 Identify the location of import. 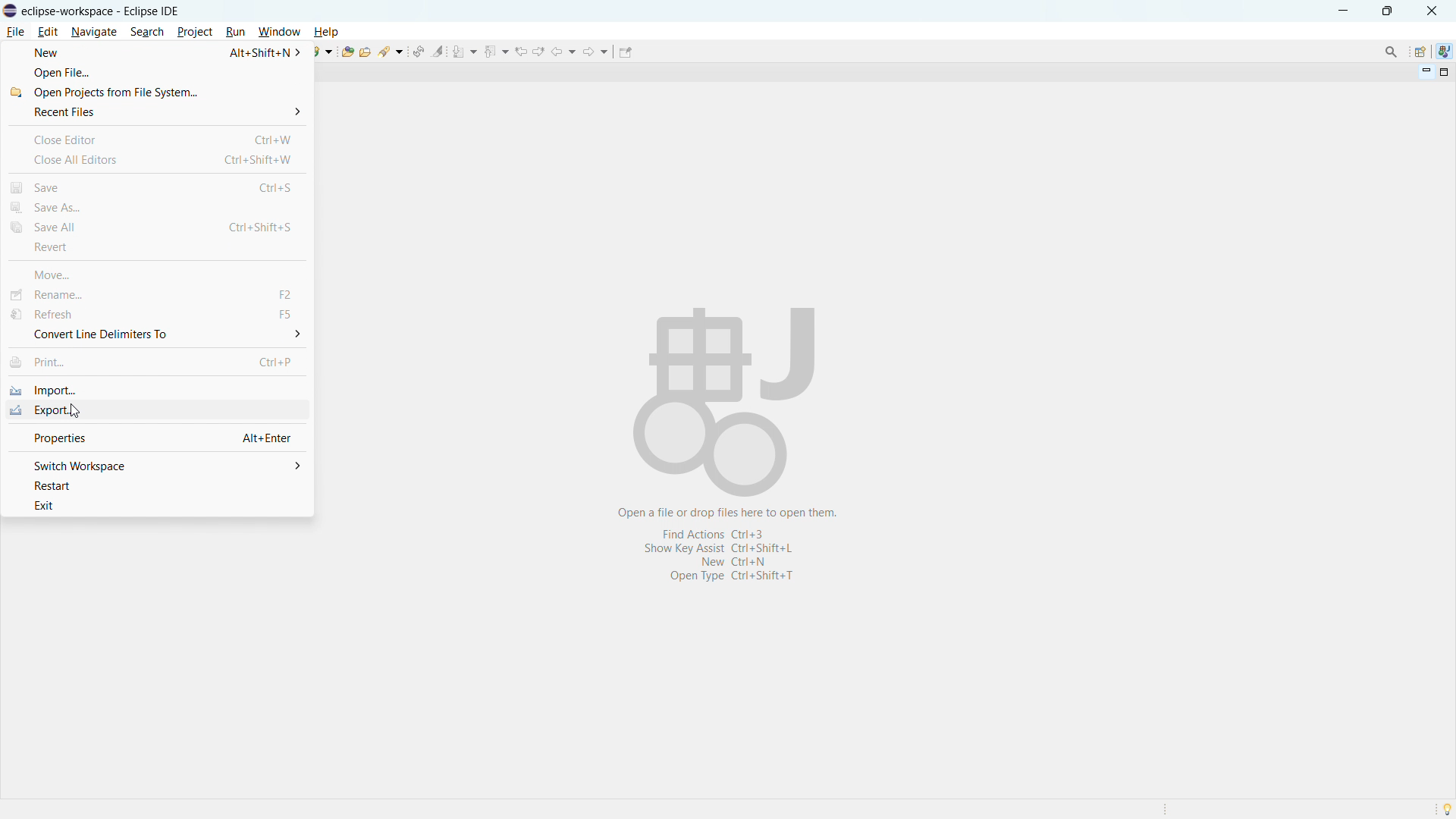
(157, 389).